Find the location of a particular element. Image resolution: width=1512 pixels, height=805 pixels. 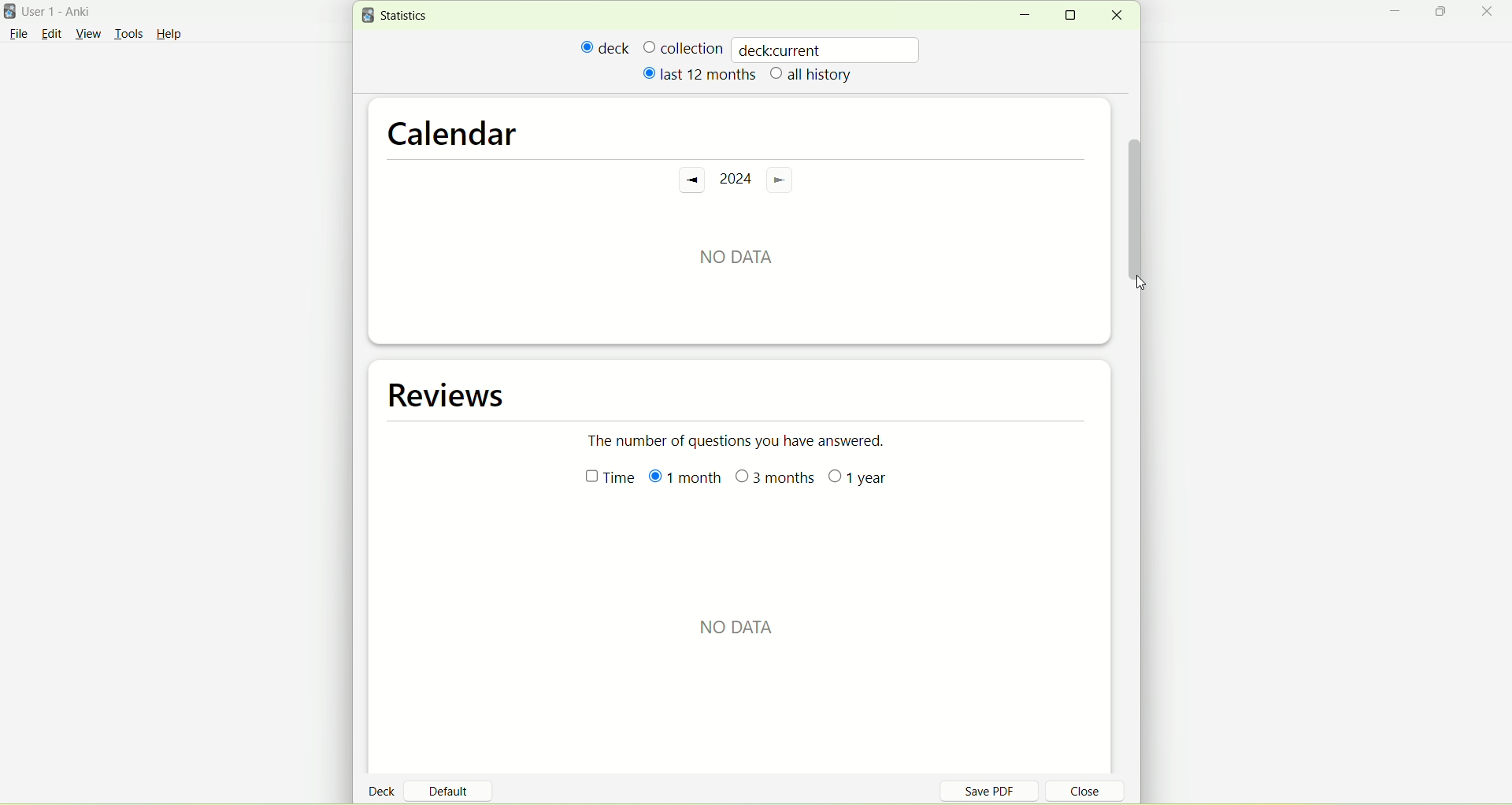

Help is located at coordinates (169, 36).